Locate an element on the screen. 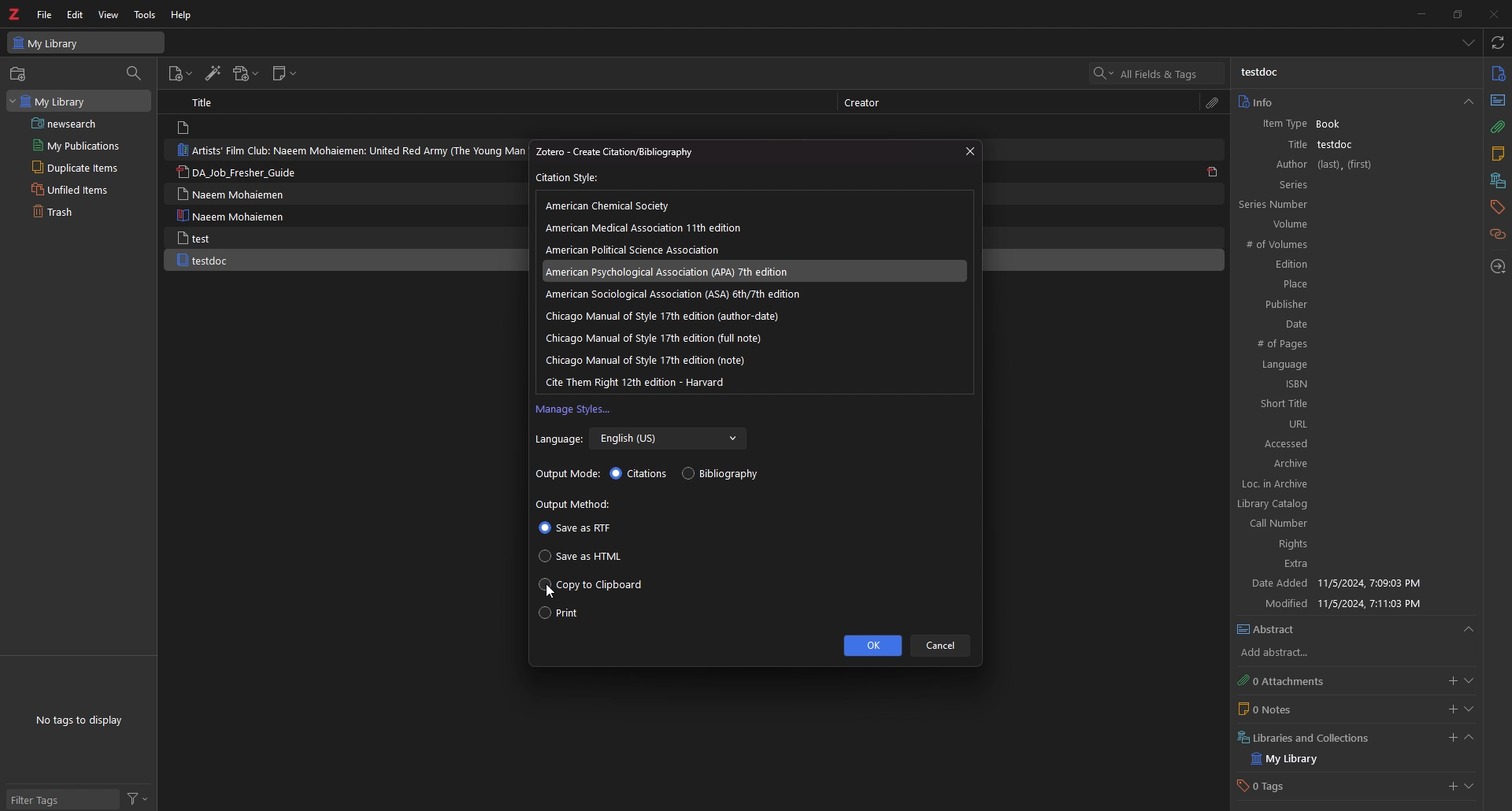 This screenshot has height=811, width=1512. american chemical scoeity is located at coordinates (613, 206).